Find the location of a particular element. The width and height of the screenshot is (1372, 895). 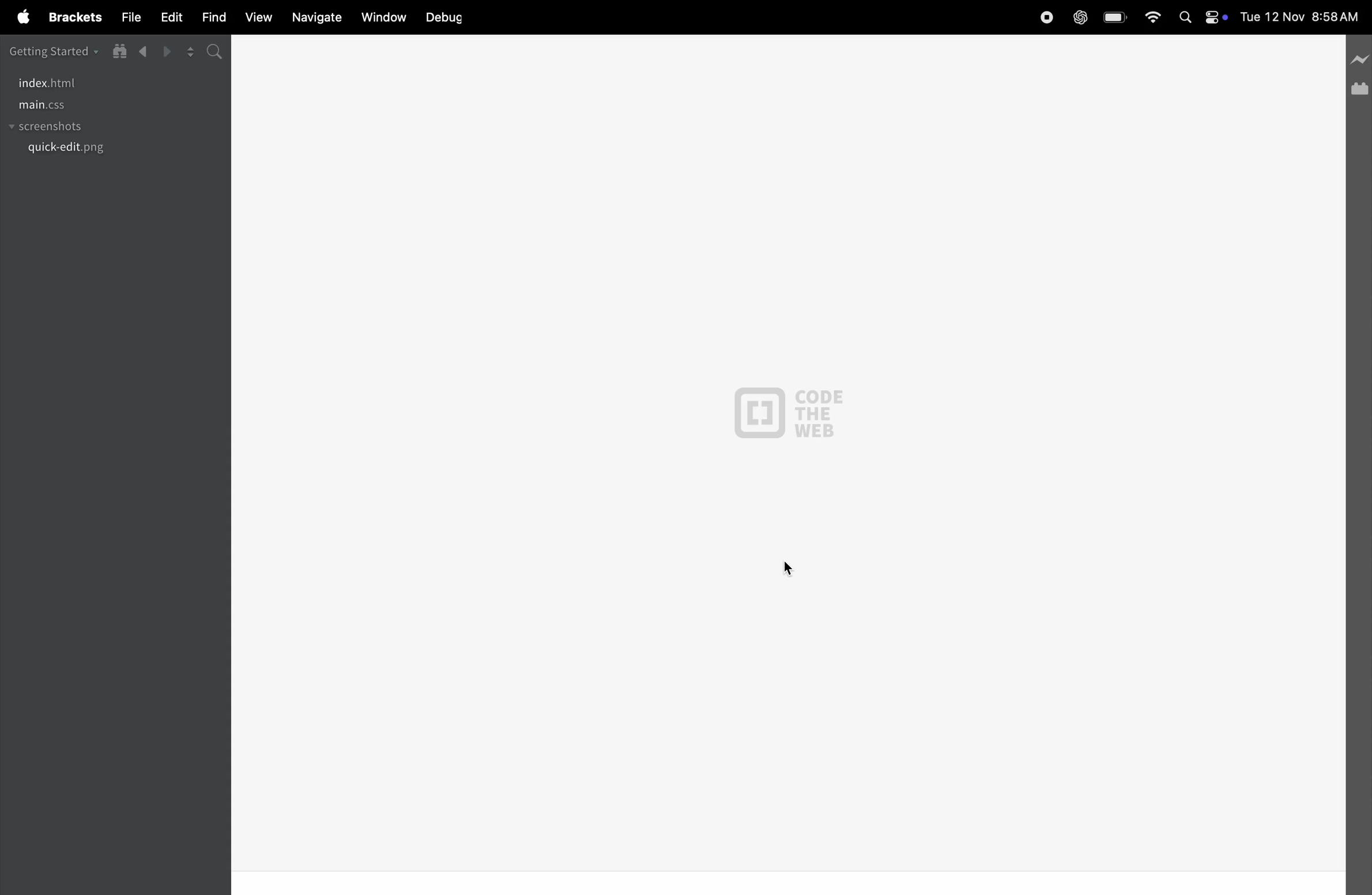

wifi is located at coordinates (1150, 17).